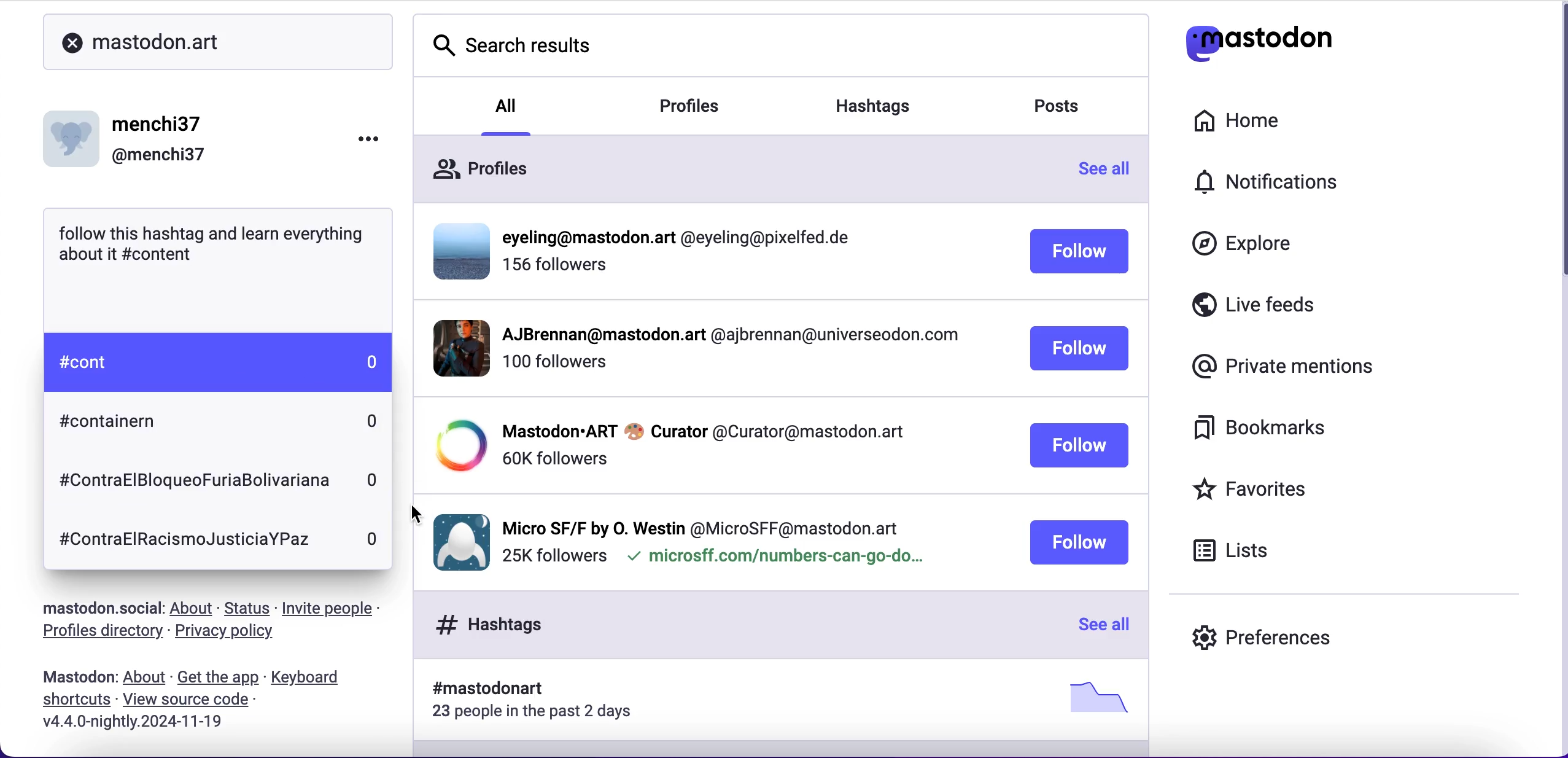 This screenshot has height=758, width=1568. I want to click on hashtags, so click(889, 101).